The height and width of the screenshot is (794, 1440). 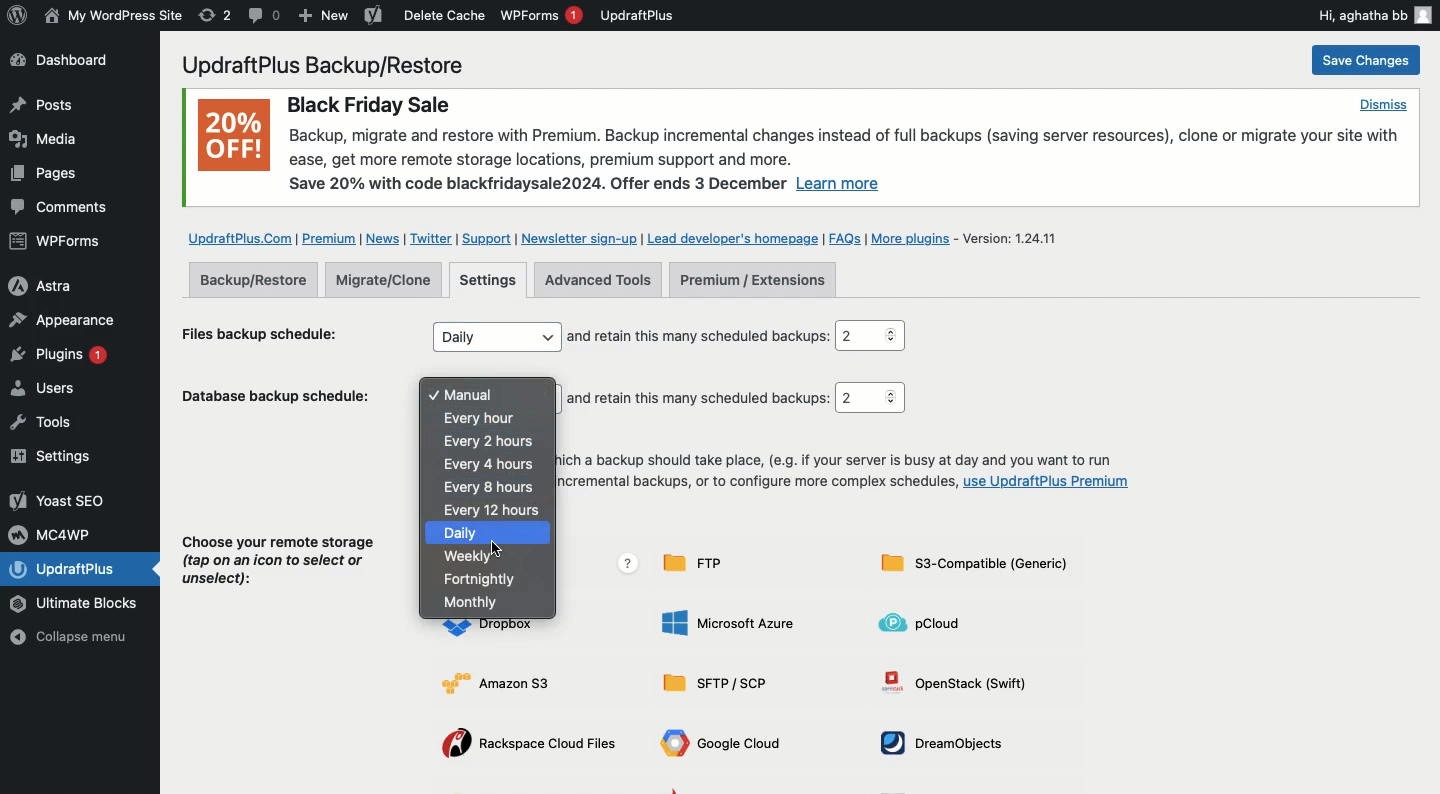 I want to click on Comment 0, so click(x=265, y=15).